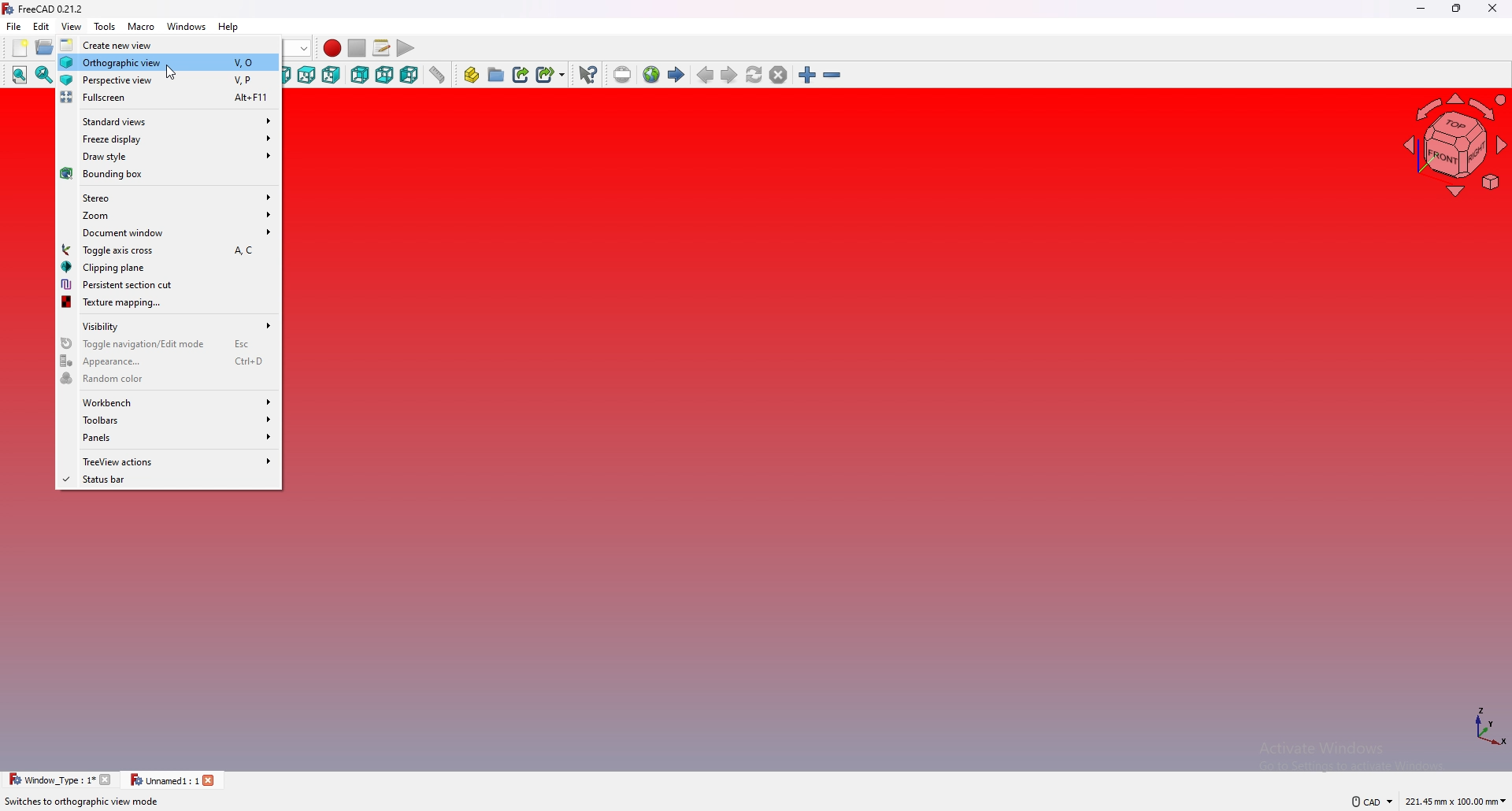  Describe the element at coordinates (172, 72) in the screenshot. I see `cursor` at that location.